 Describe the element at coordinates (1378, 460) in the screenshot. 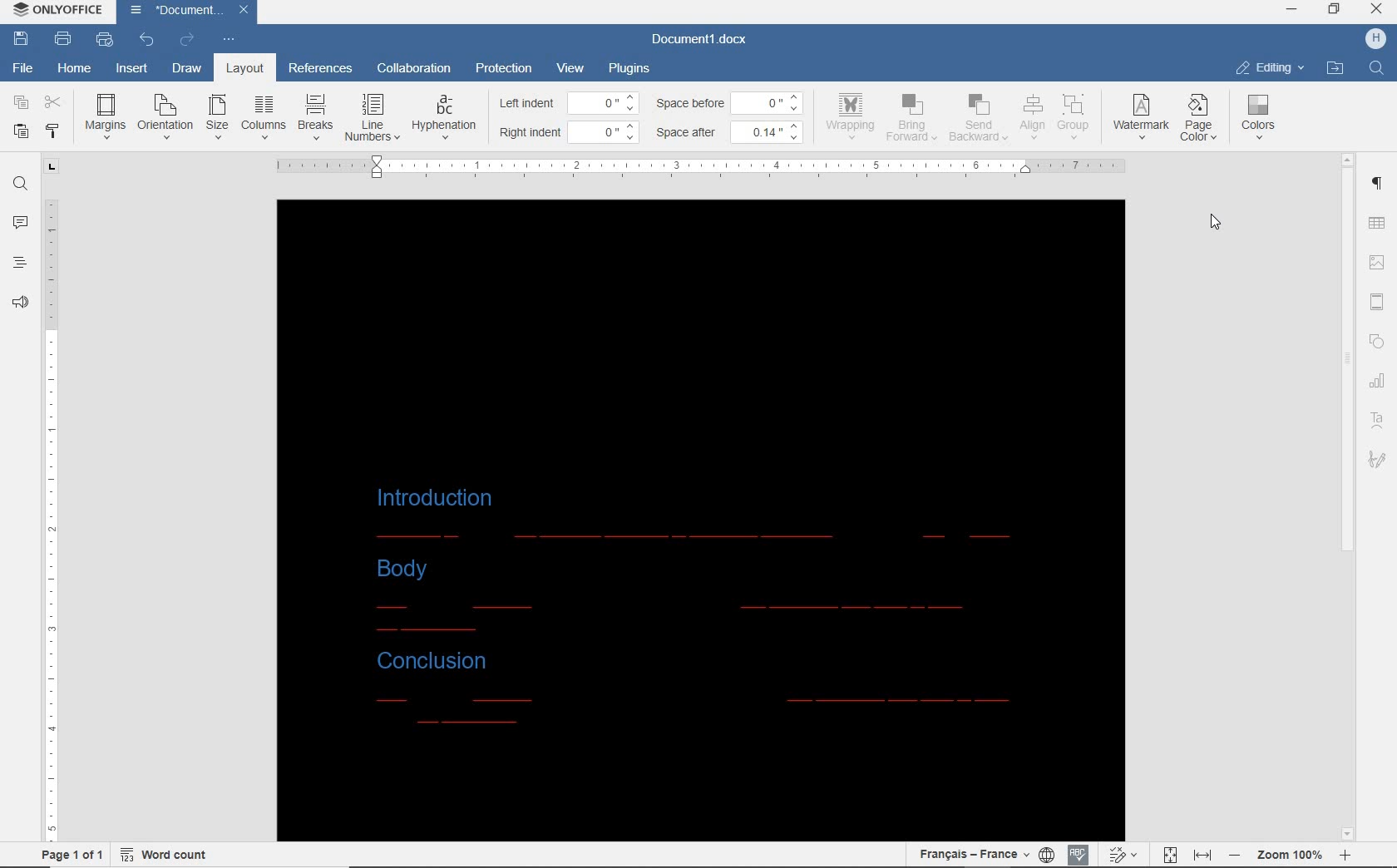

I see `signature` at that location.